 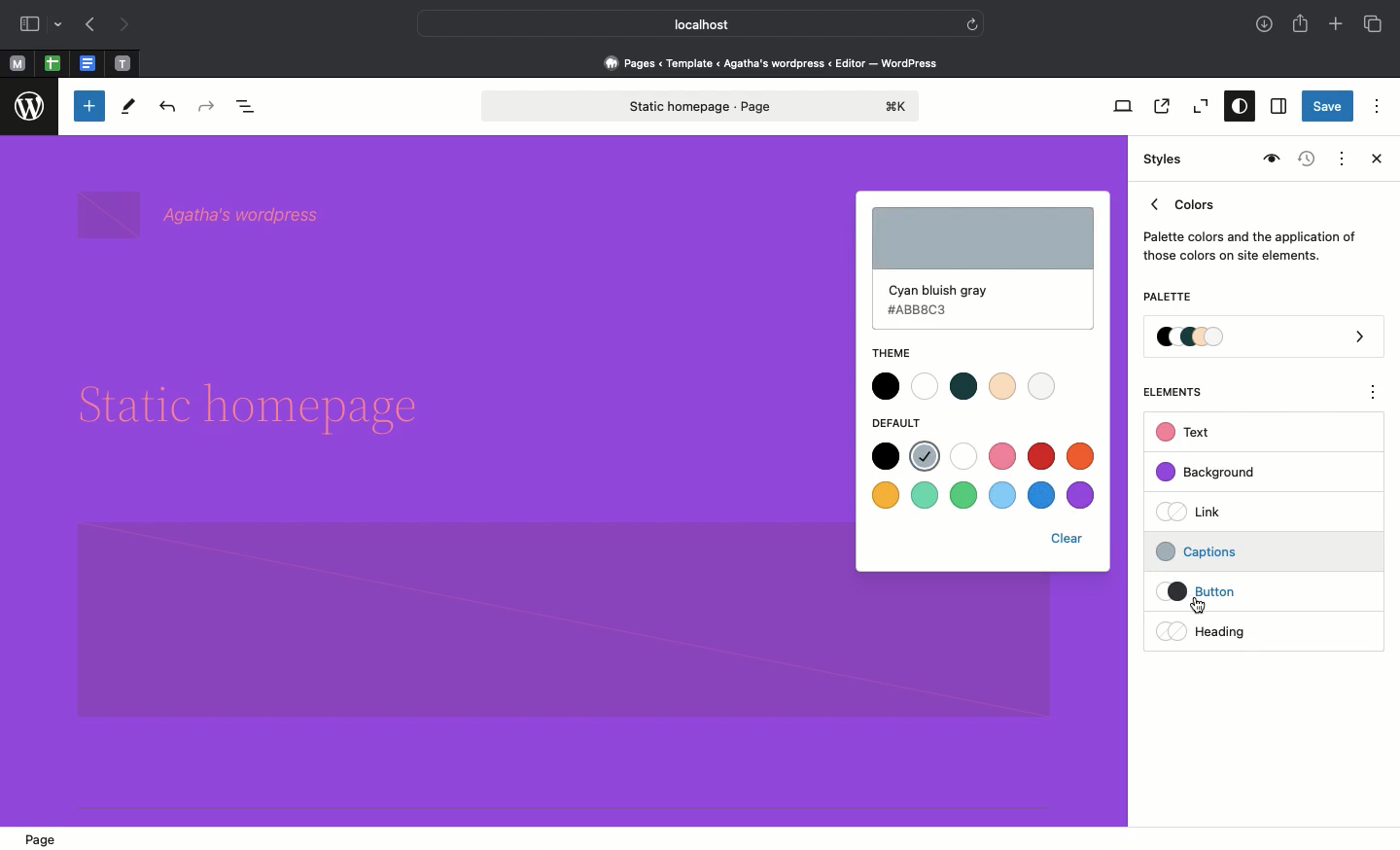 I want to click on wordpress name, so click(x=204, y=214).